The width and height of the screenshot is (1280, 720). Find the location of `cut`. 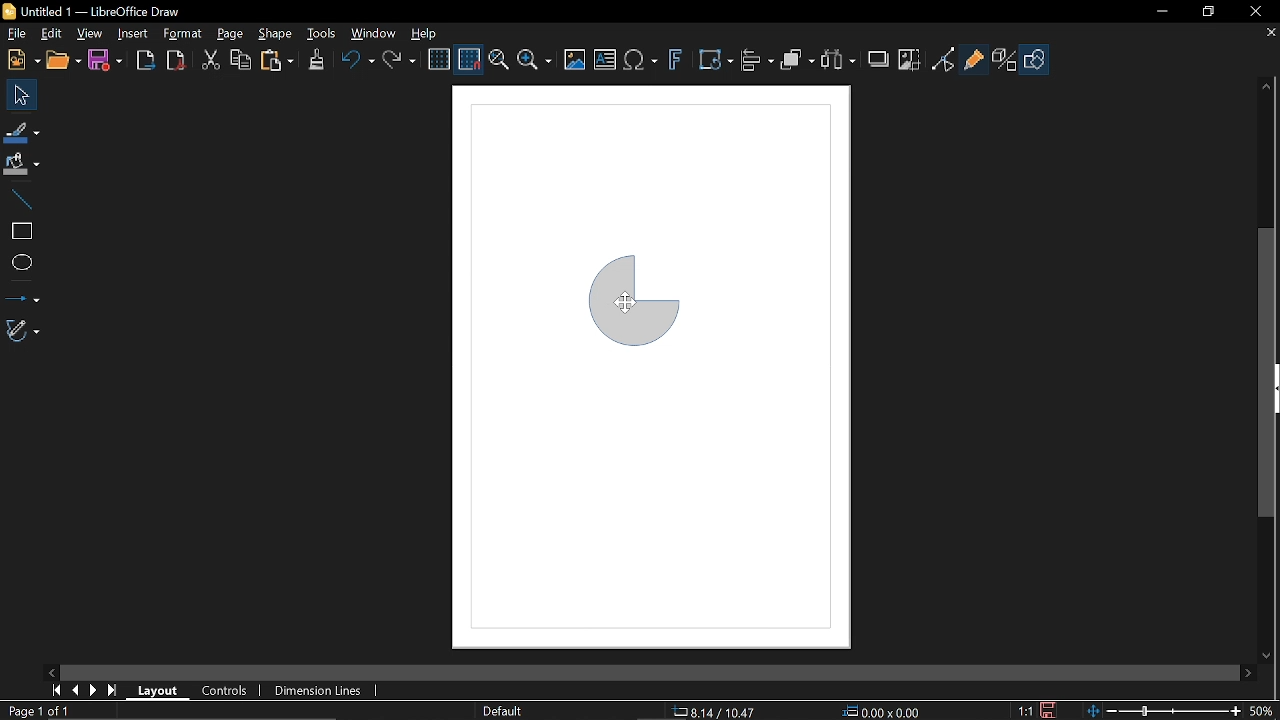

cut is located at coordinates (207, 60).